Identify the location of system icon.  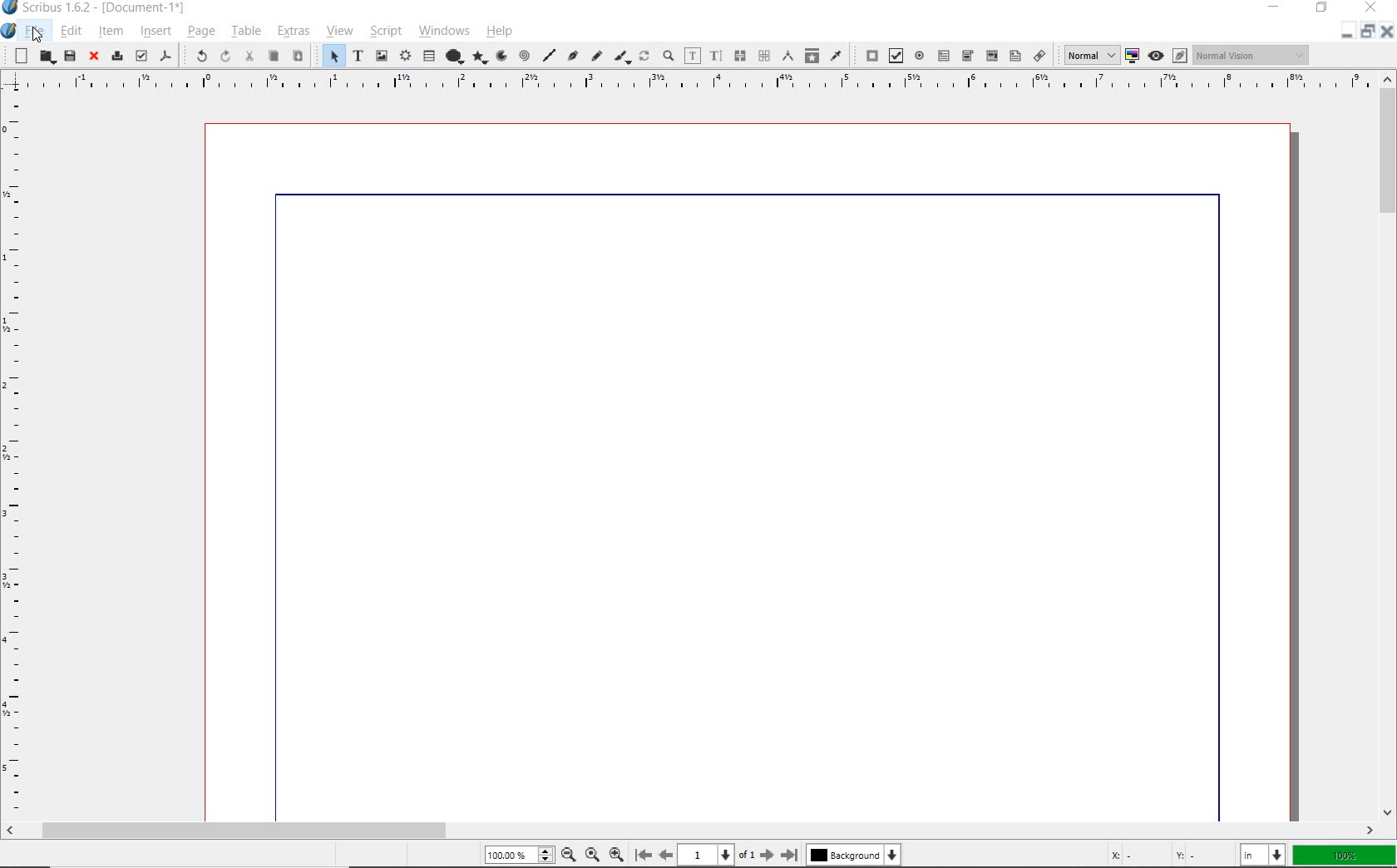
(10, 31).